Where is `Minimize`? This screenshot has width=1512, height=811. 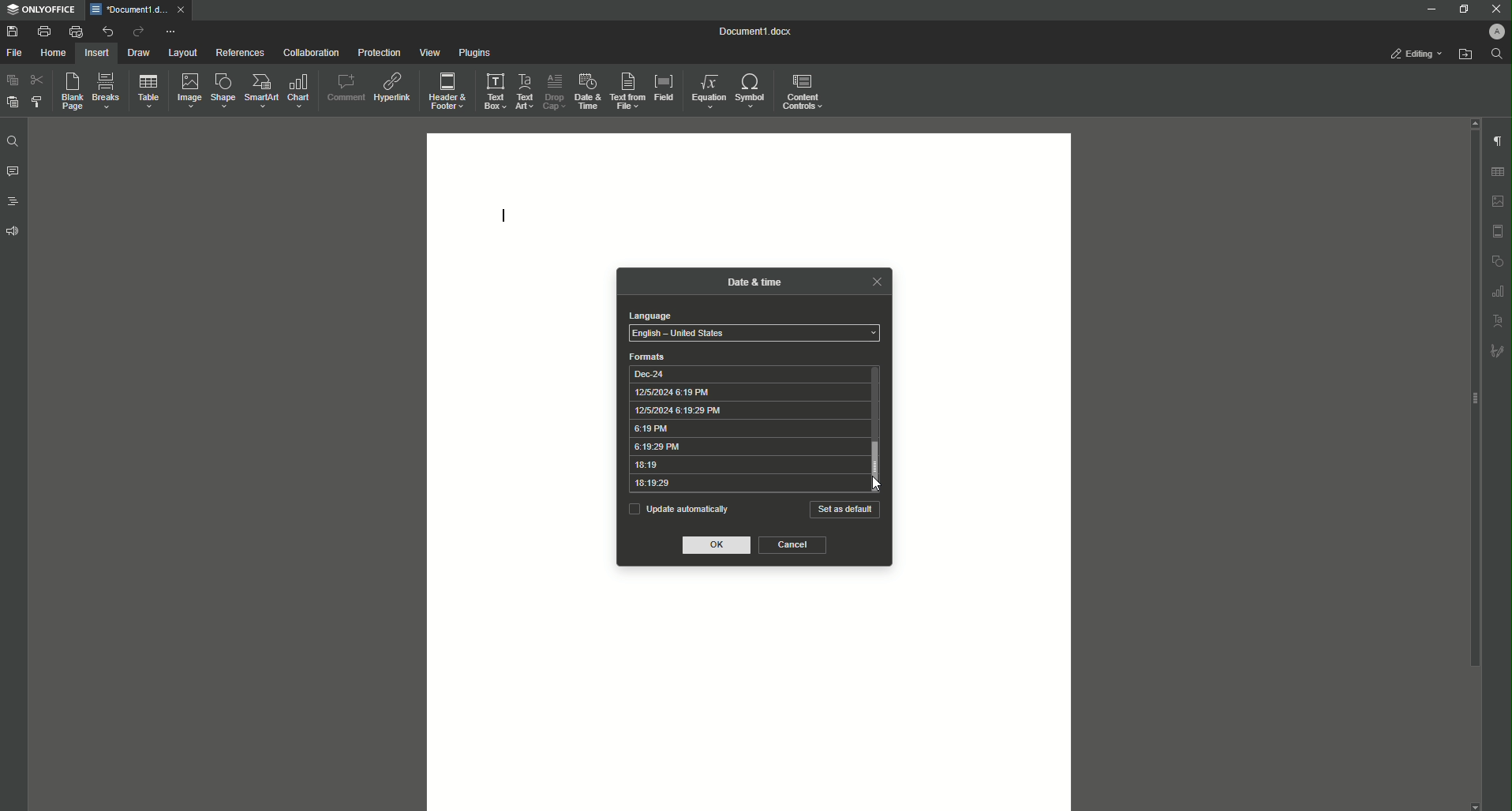
Minimize is located at coordinates (1429, 9).